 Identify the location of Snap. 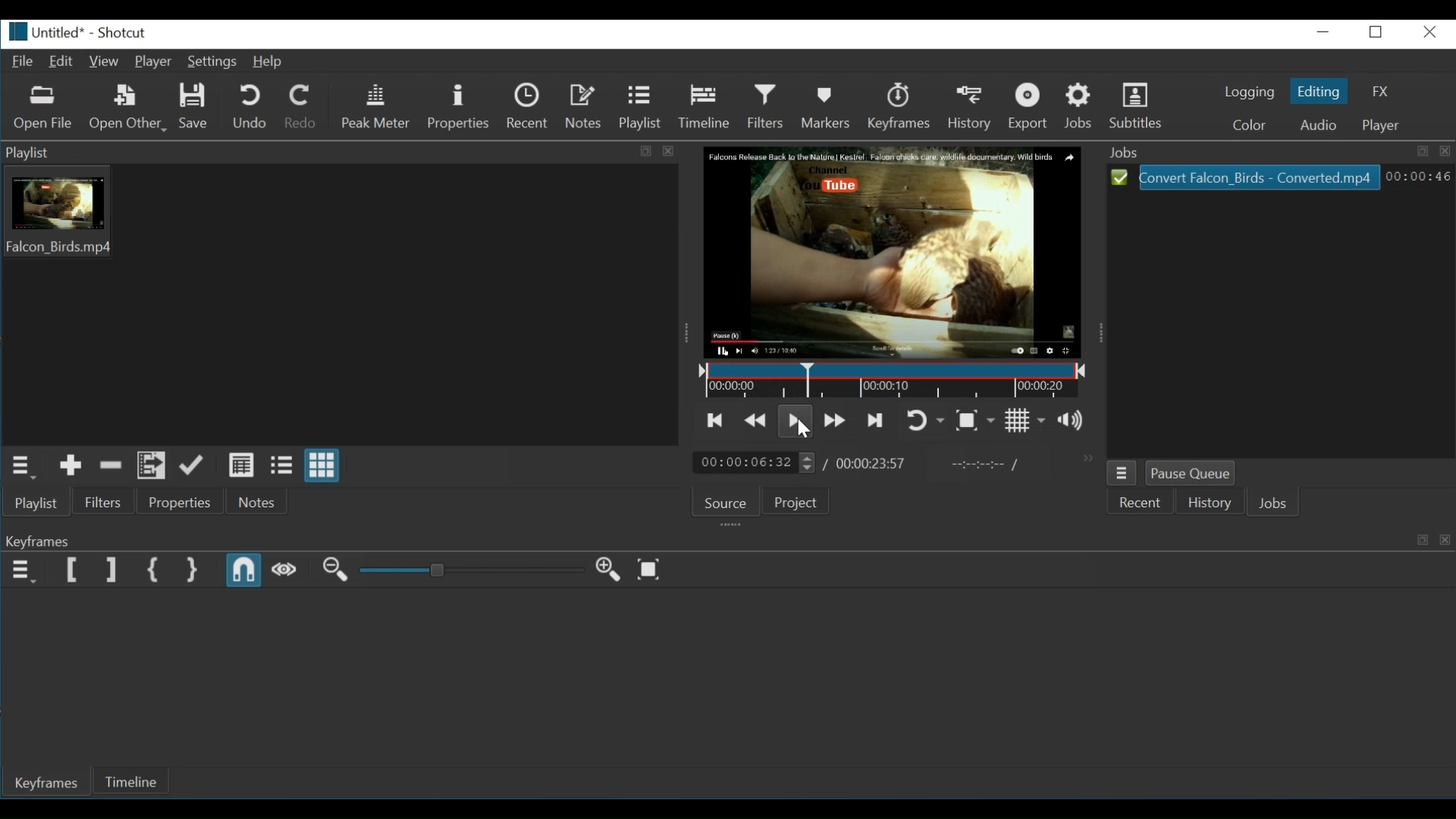
(243, 570).